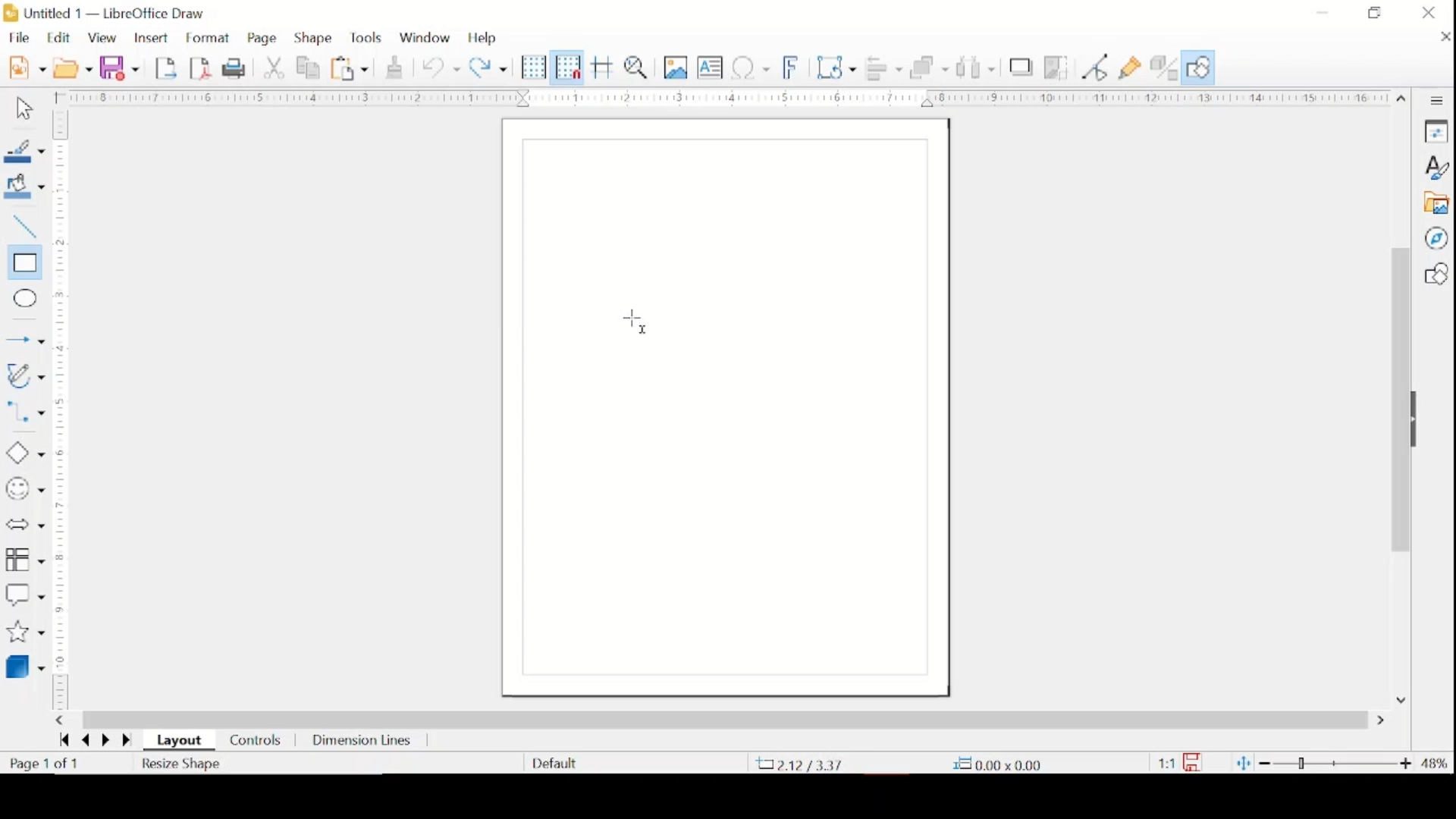 This screenshot has height=819, width=1456. I want to click on copy, so click(310, 68).